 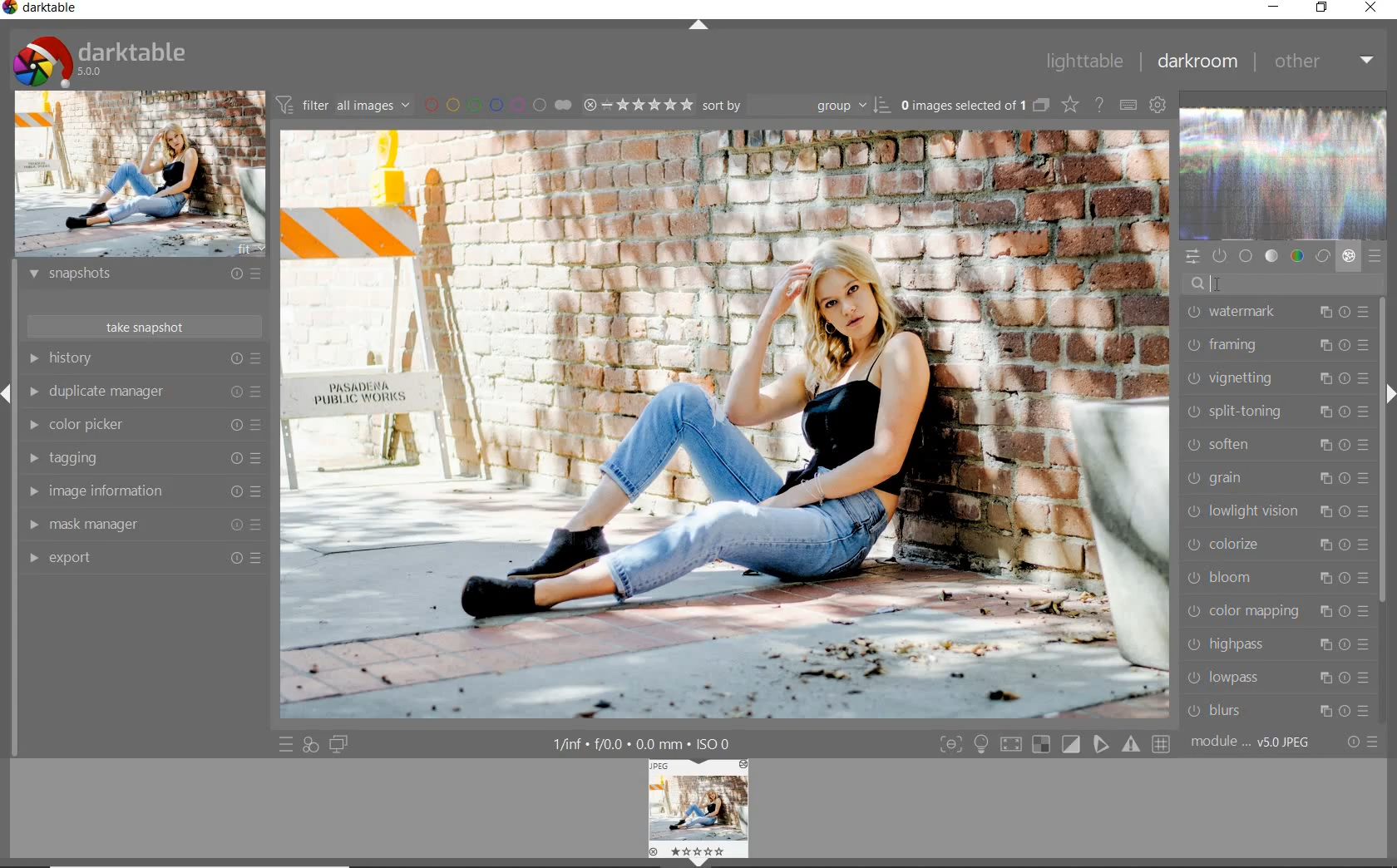 I want to click on enable online help, so click(x=1100, y=106).